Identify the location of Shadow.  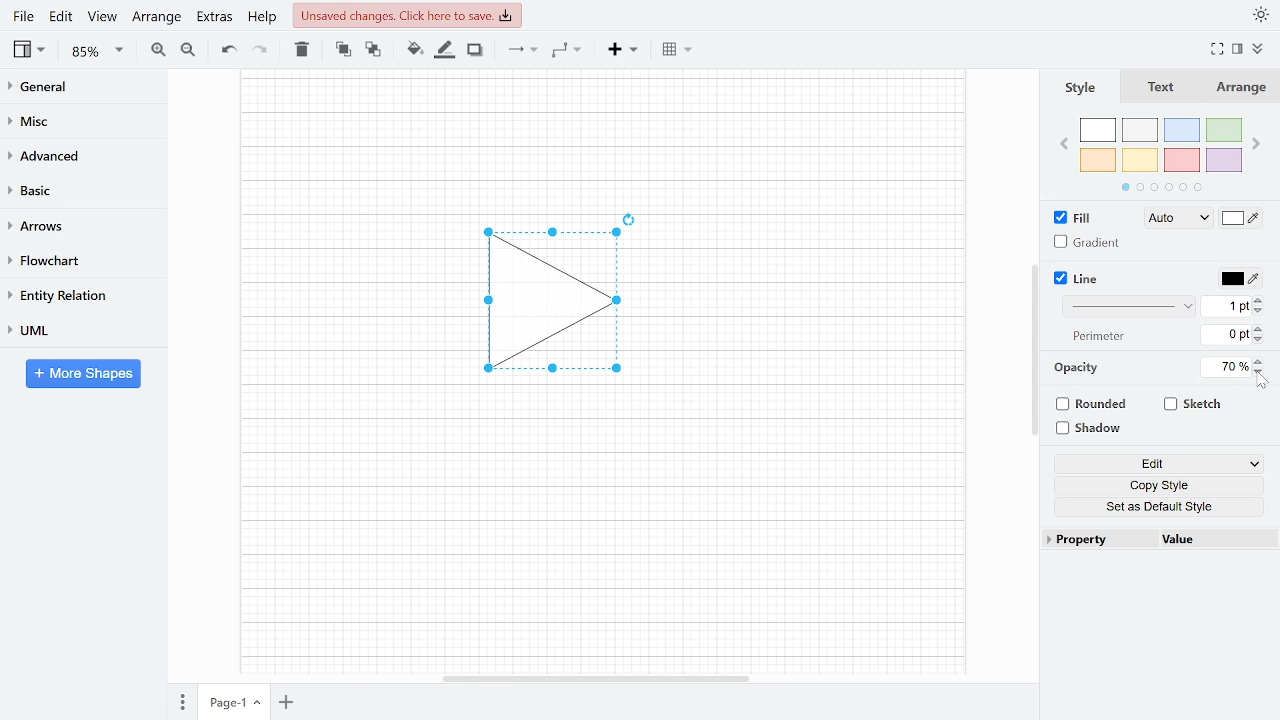
(1096, 429).